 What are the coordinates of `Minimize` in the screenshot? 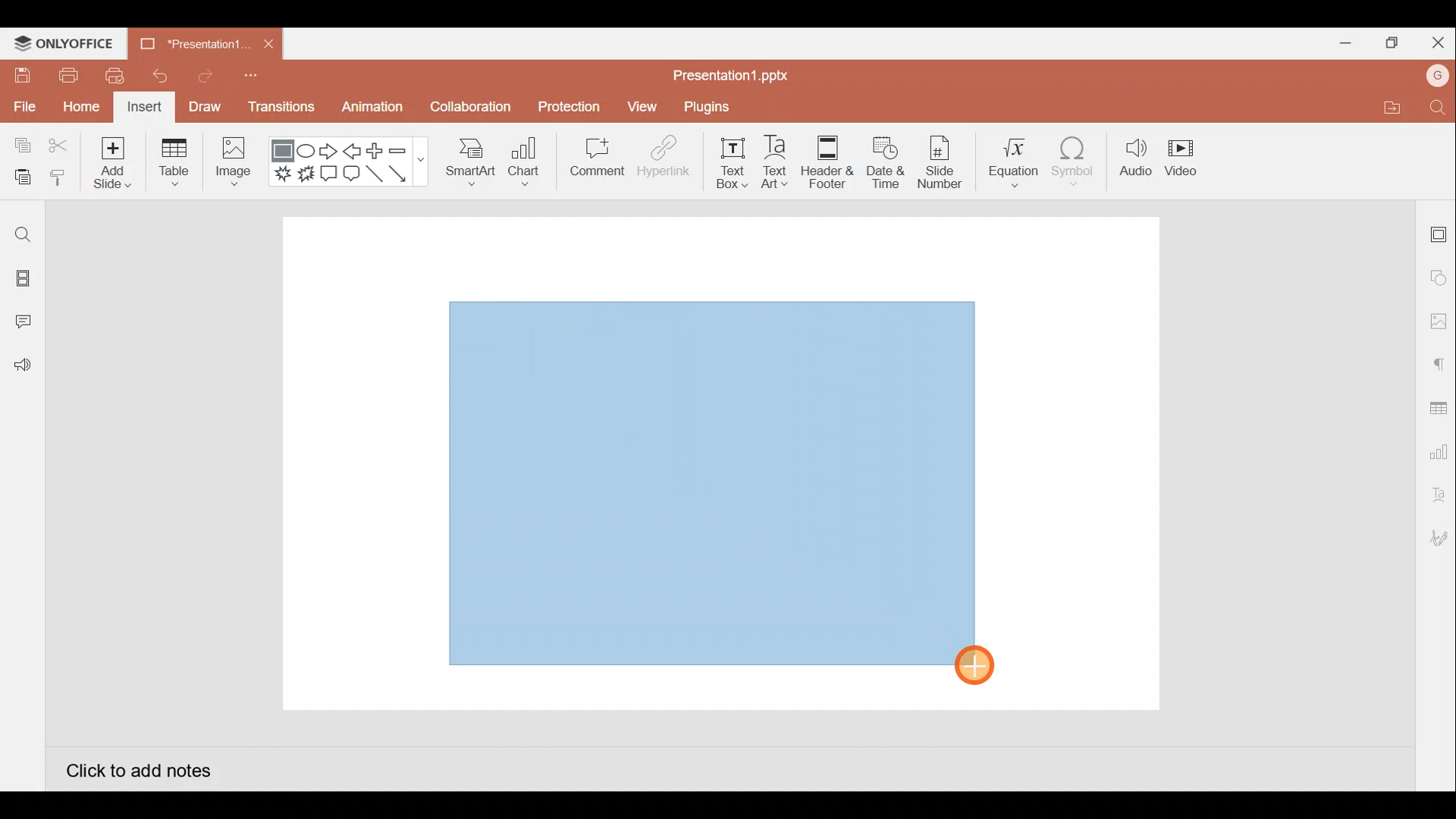 It's located at (1339, 40).